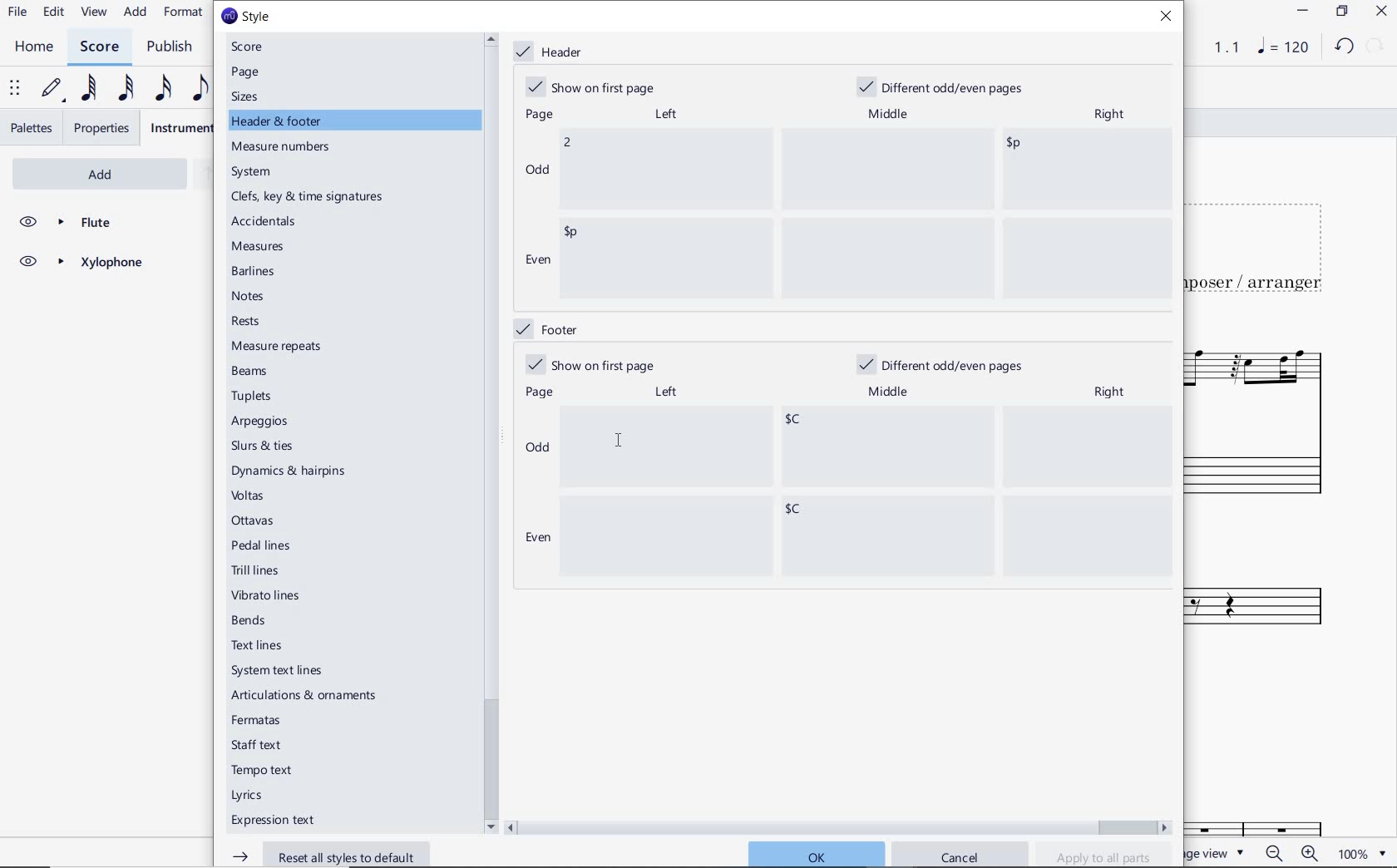 The width and height of the screenshot is (1397, 868). What do you see at coordinates (98, 46) in the screenshot?
I see `SCORE` at bounding box center [98, 46].